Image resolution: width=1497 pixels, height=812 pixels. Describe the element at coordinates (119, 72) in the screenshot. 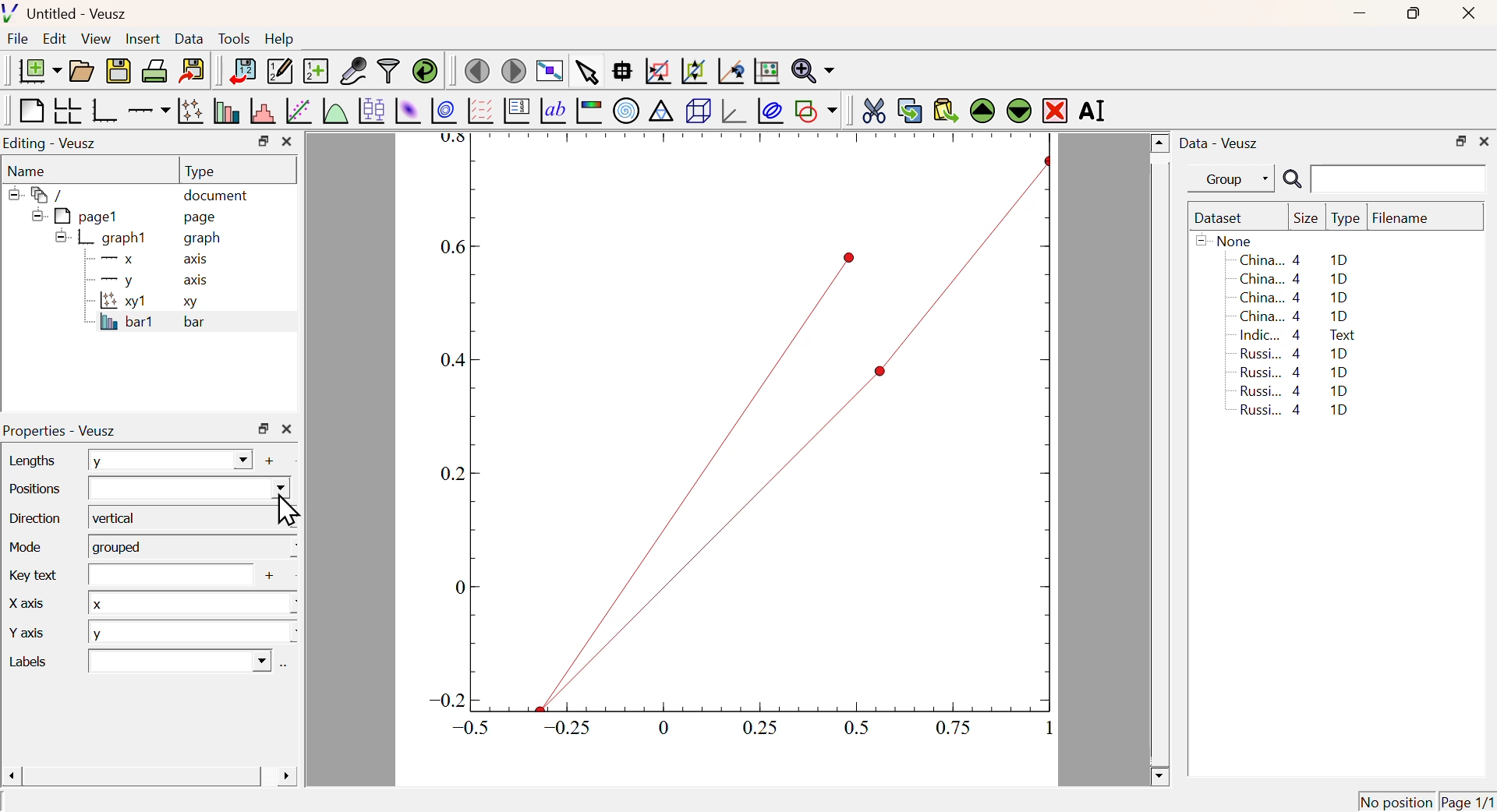

I see `Save` at that location.